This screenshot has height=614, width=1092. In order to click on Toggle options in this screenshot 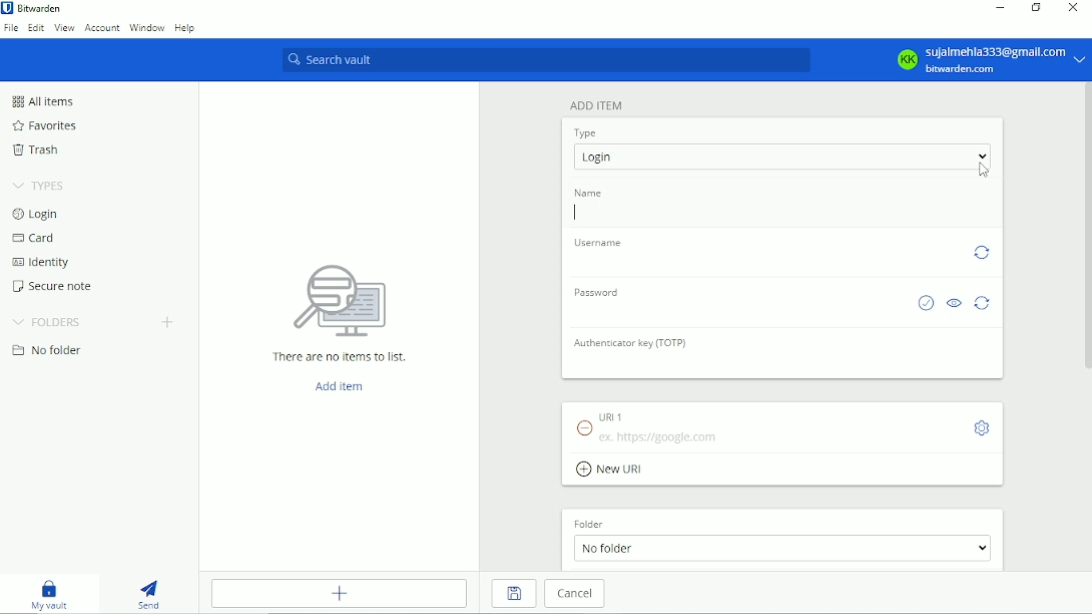, I will do `click(980, 427)`.